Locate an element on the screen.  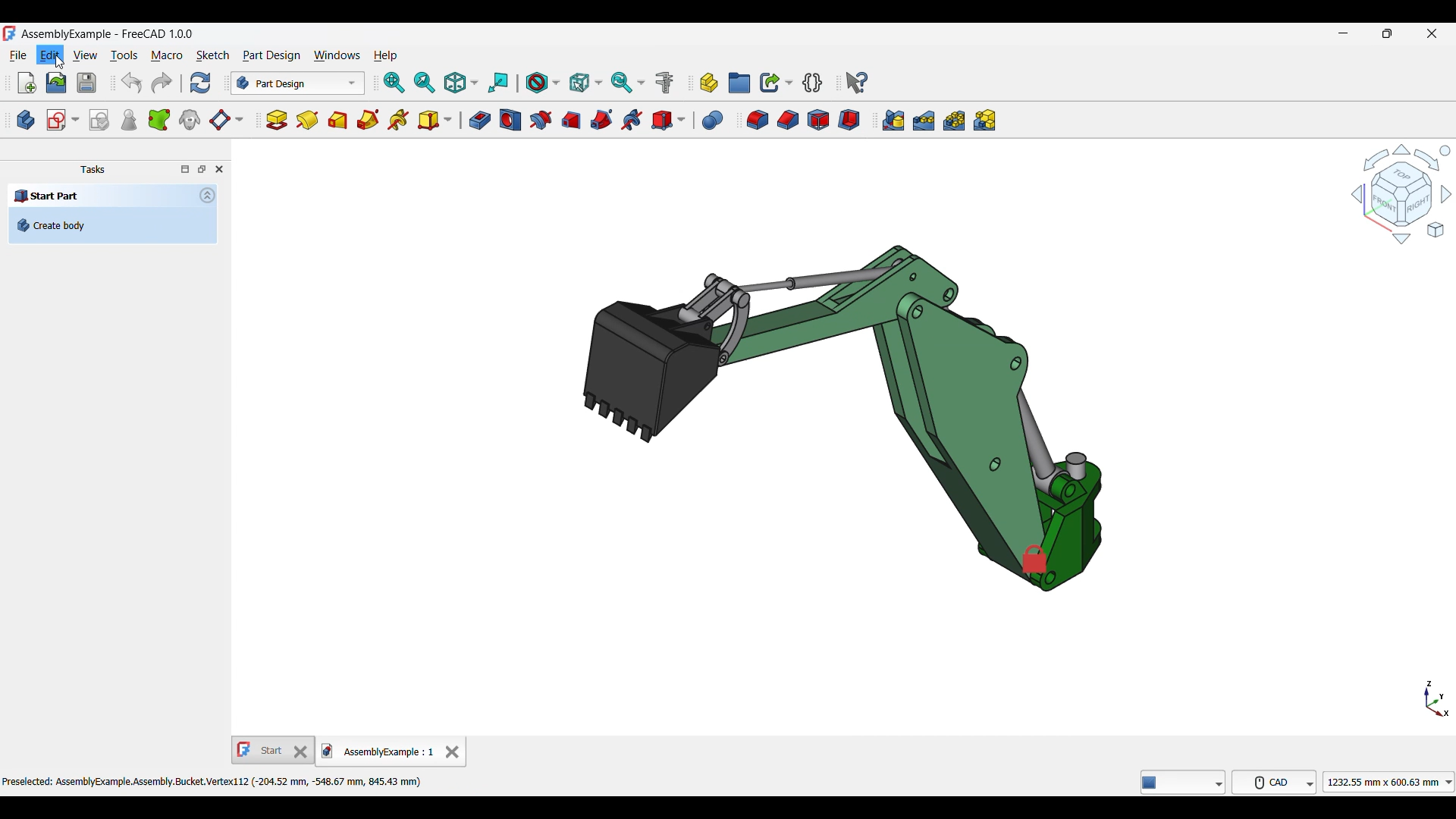
Create a datum plane is located at coordinates (226, 121).